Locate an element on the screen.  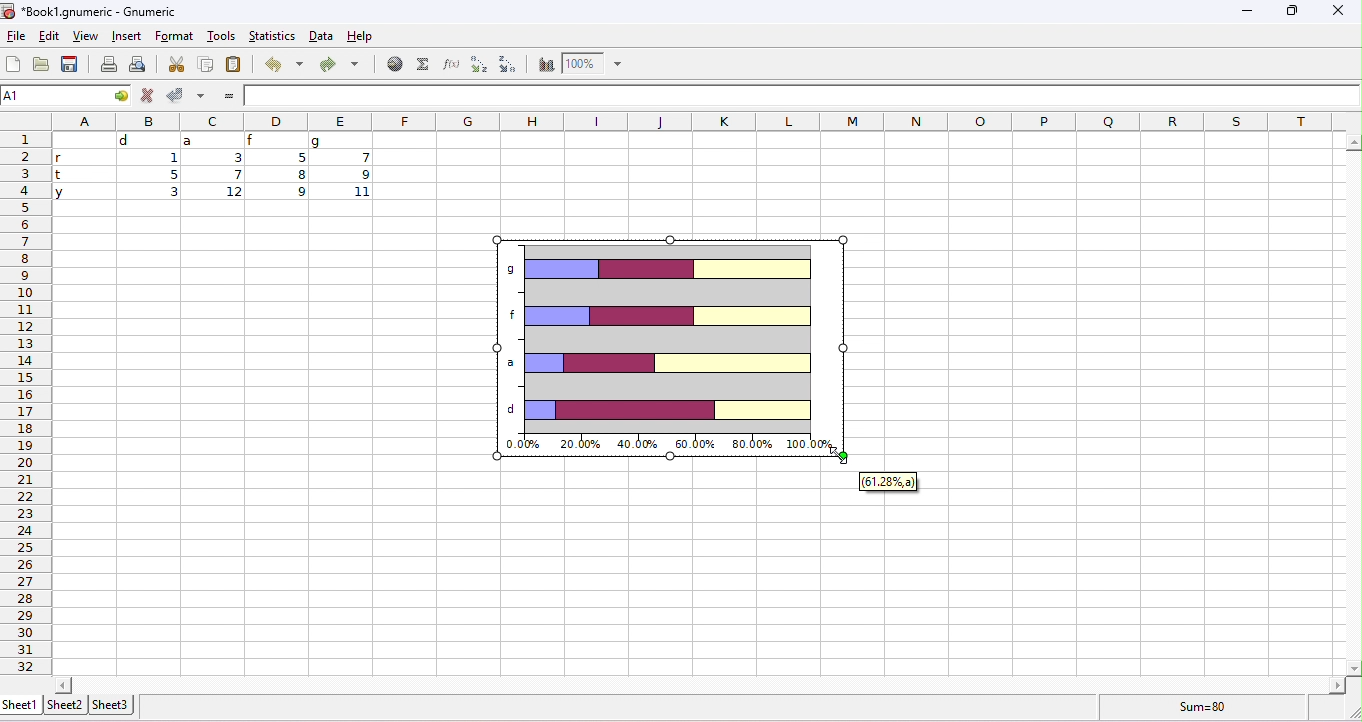
print preview is located at coordinates (141, 64).